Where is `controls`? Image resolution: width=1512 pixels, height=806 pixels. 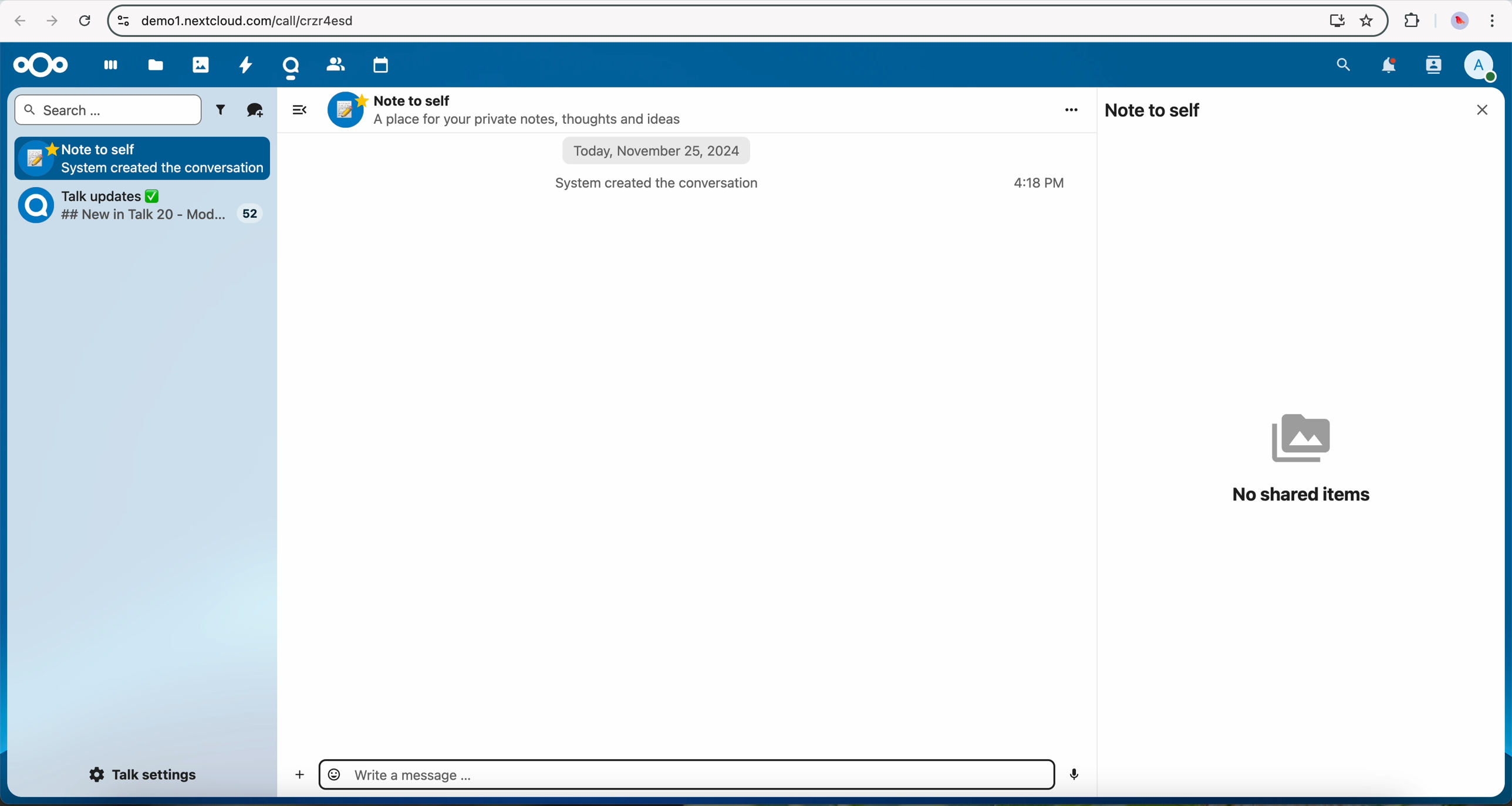 controls is located at coordinates (121, 19).